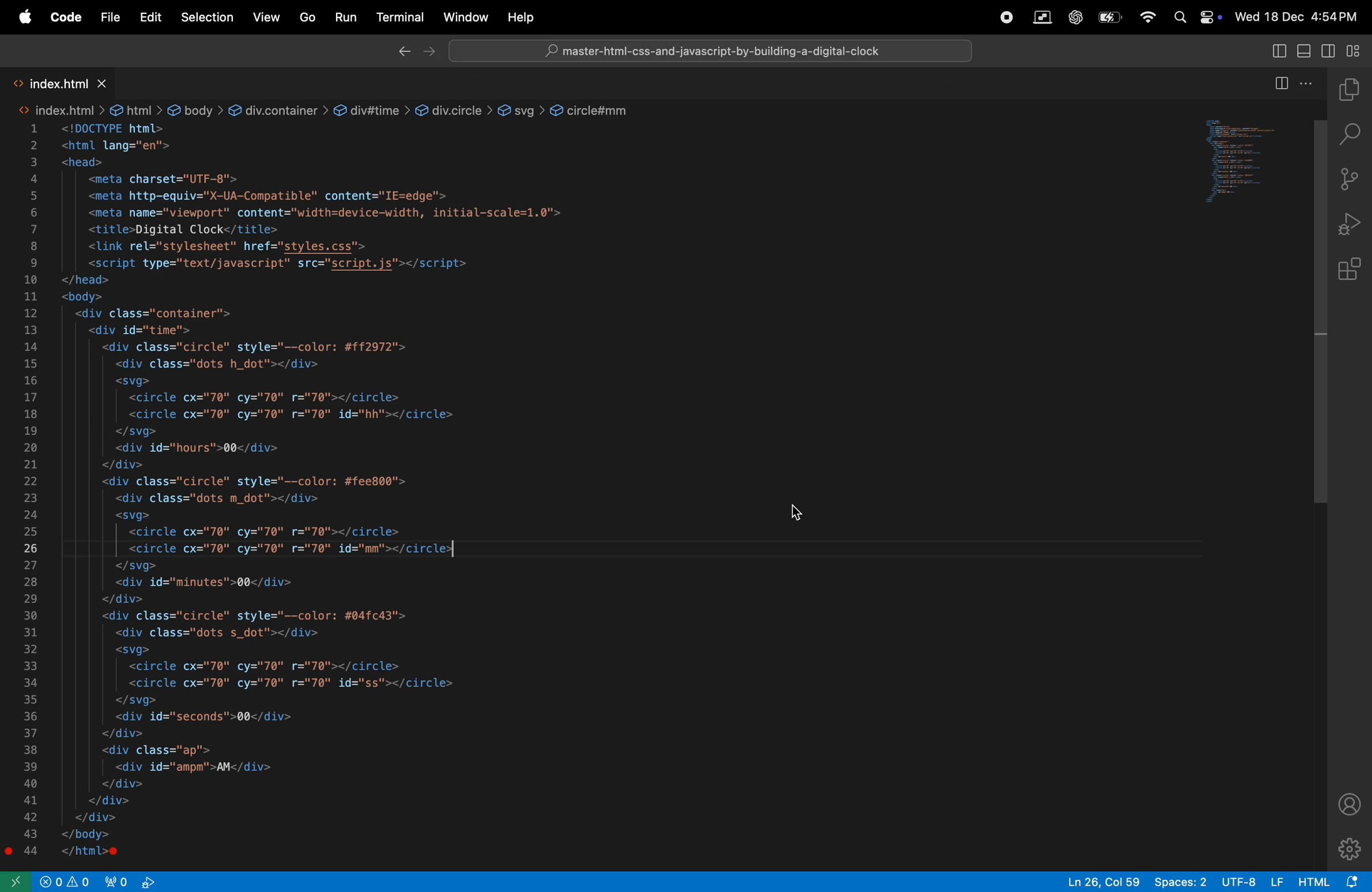 Image resolution: width=1372 pixels, height=892 pixels. I want to click on Scroll bar, so click(1318, 315).